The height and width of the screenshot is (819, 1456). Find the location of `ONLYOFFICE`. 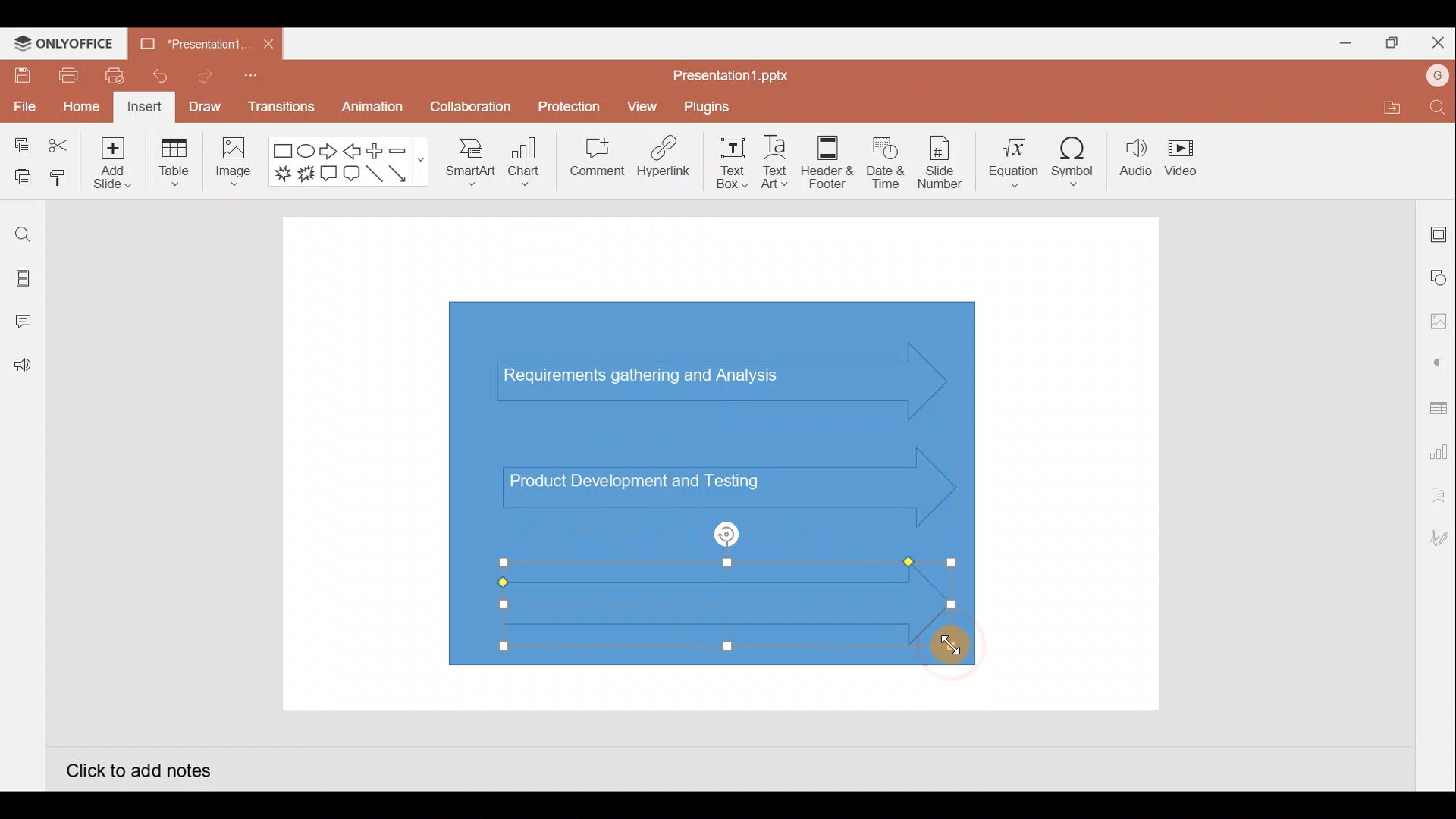

ONLYOFFICE is located at coordinates (64, 43).